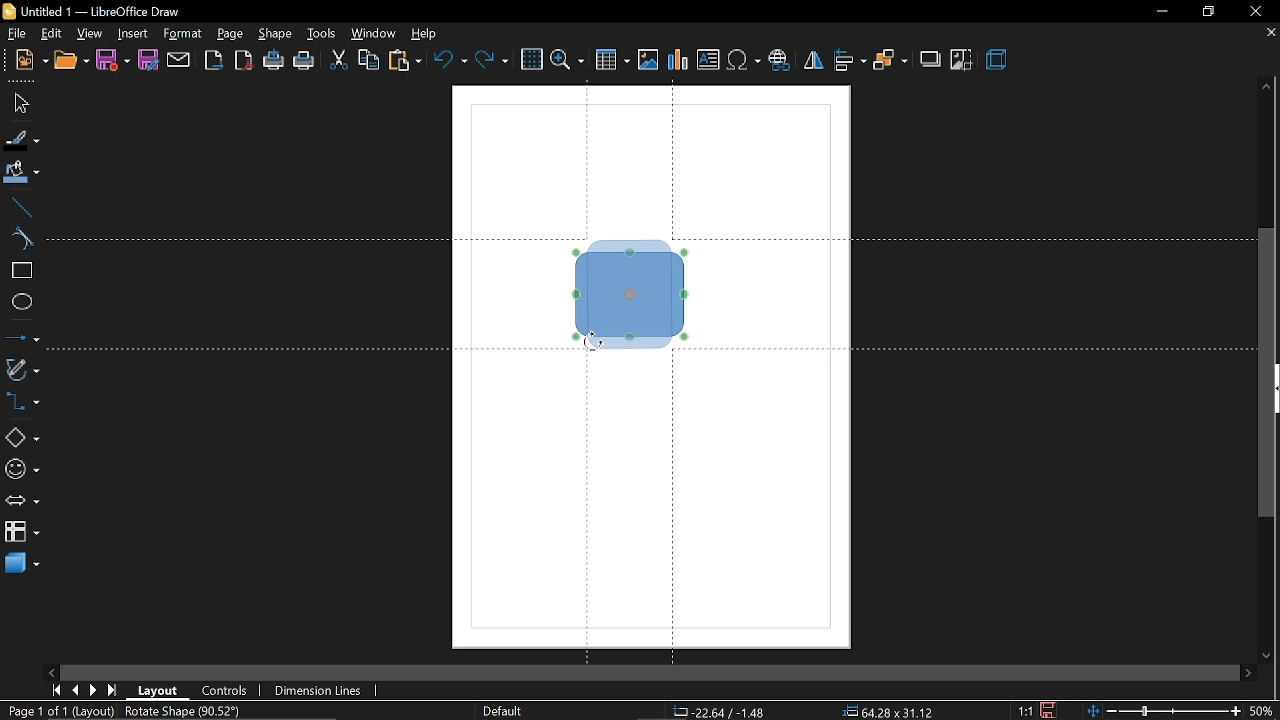  Describe the element at coordinates (882, 712) in the screenshot. I see `64.28 x31.12` at that location.